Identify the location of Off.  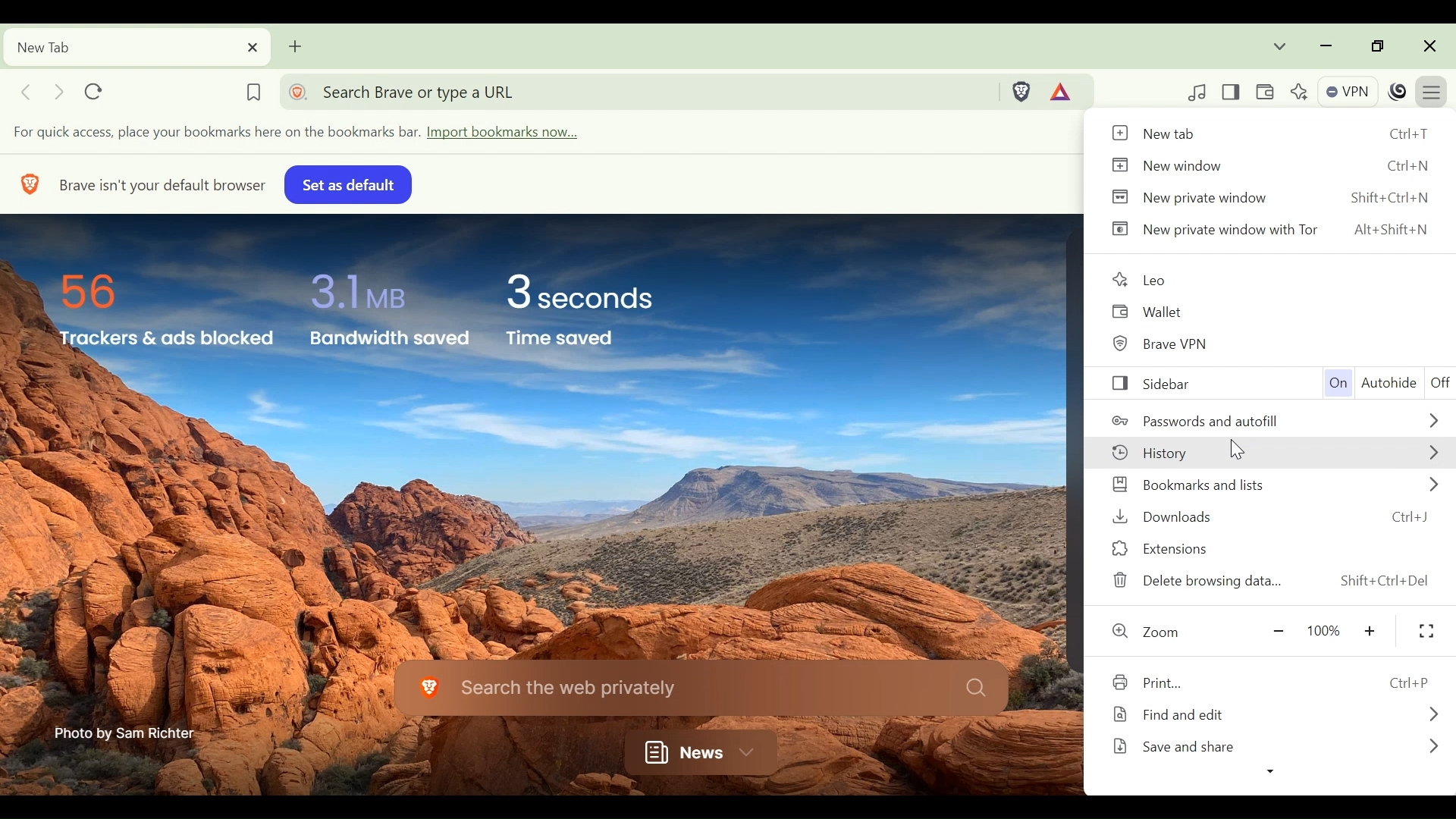
(1440, 383).